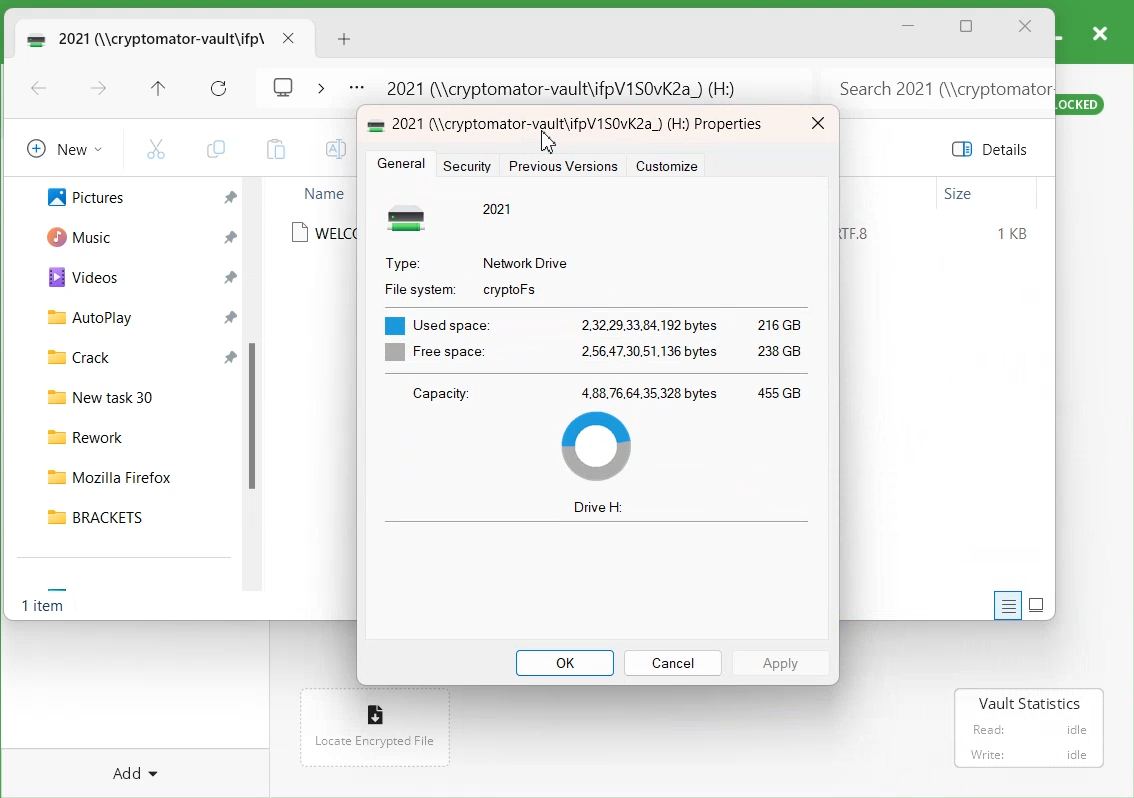  What do you see at coordinates (1014, 234) in the screenshot?
I see `1 KB` at bounding box center [1014, 234].